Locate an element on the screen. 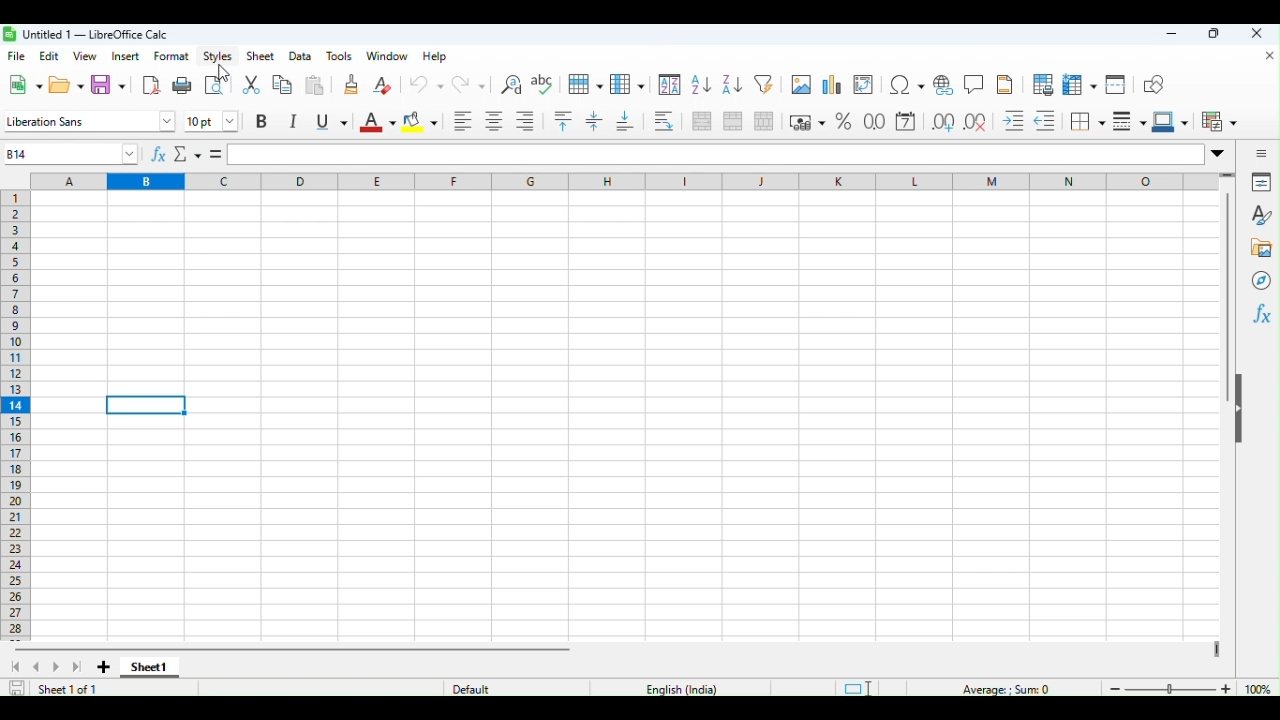 The width and height of the screenshot is (1280, 720). Spelling is located at coordinates (543, 83).